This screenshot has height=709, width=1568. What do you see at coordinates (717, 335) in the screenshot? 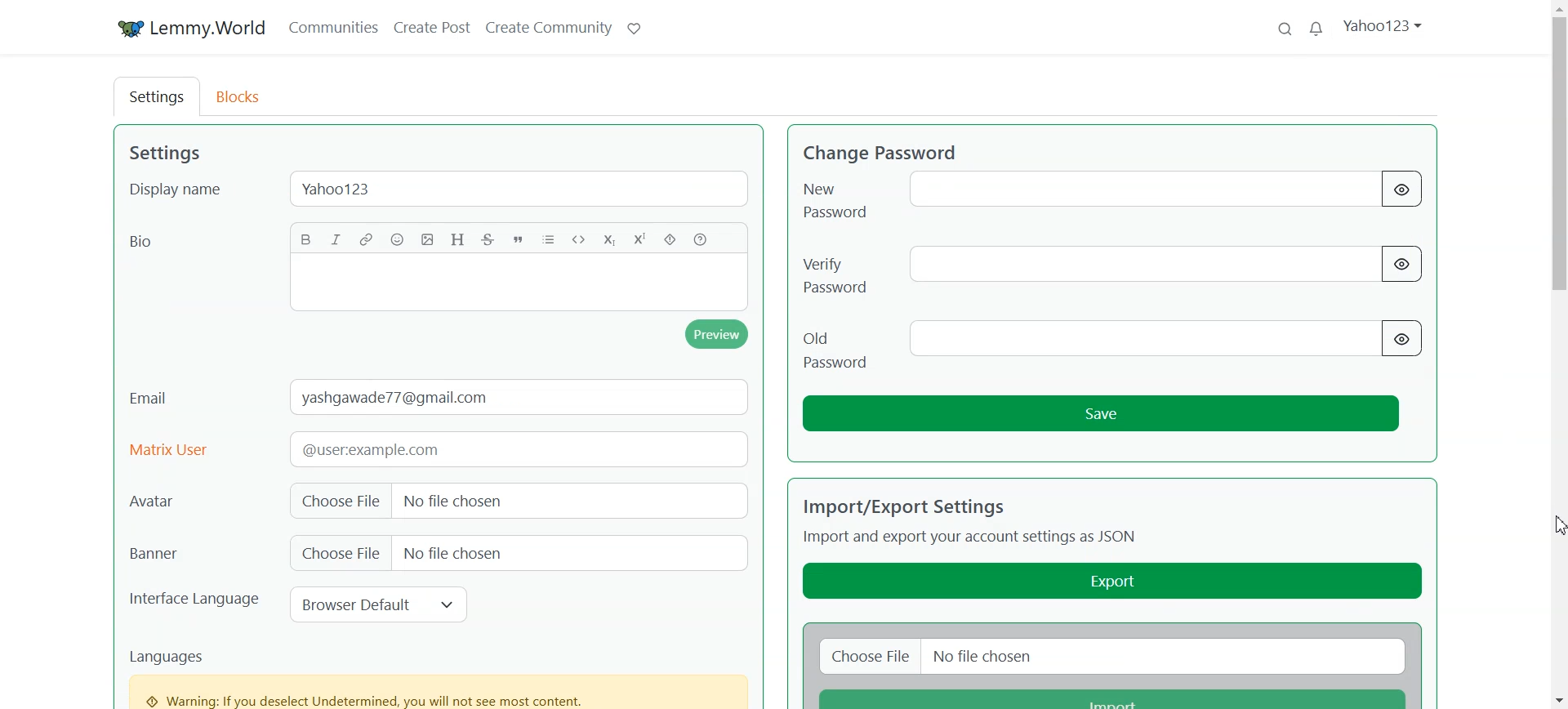
I see `Preview` at bounding box center [717, 335].